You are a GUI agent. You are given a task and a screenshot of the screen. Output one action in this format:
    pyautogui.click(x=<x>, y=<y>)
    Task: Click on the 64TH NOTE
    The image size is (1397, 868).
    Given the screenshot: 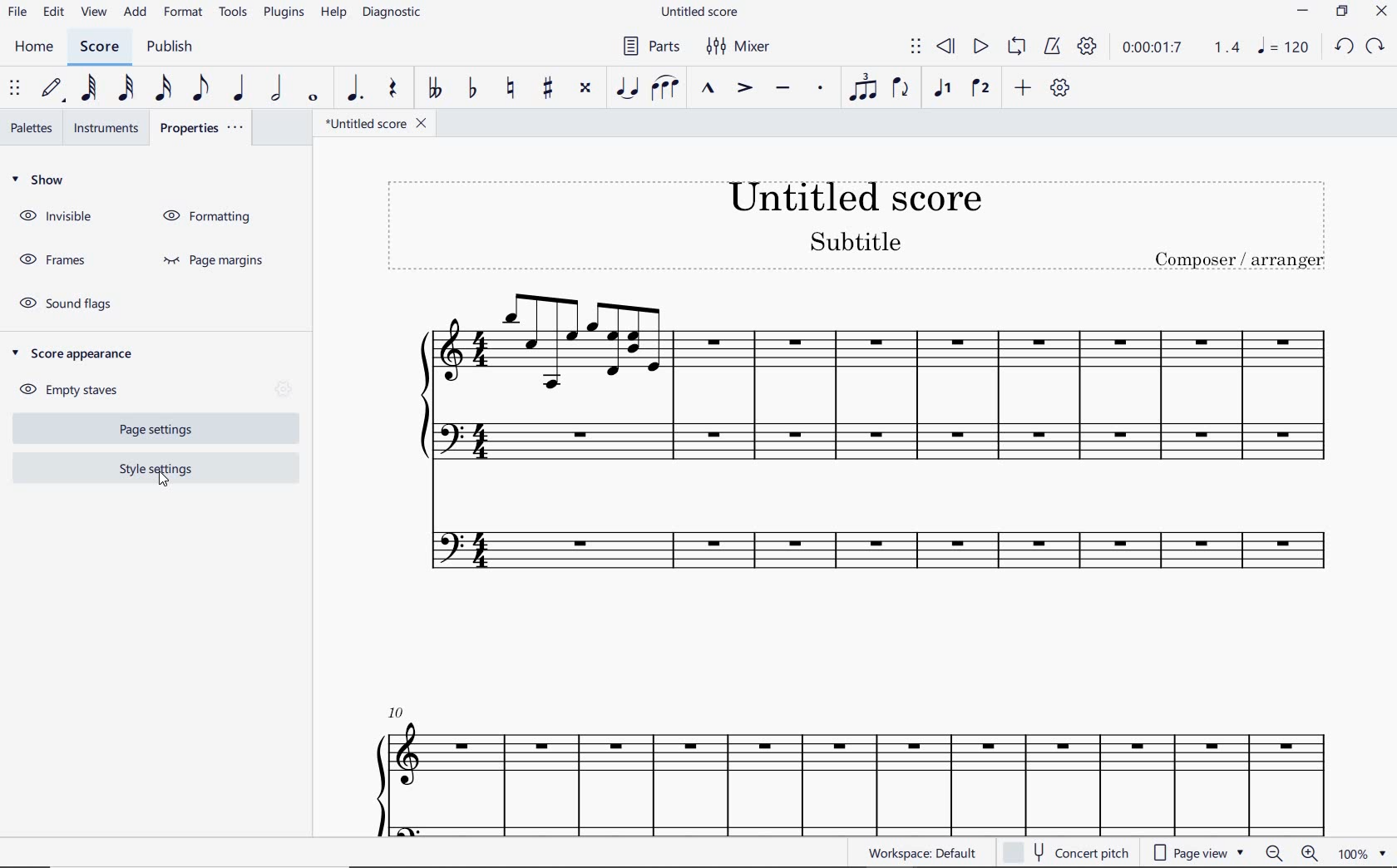 What is the action you would take?
    pyautogui.click(x=91, y=88)
    